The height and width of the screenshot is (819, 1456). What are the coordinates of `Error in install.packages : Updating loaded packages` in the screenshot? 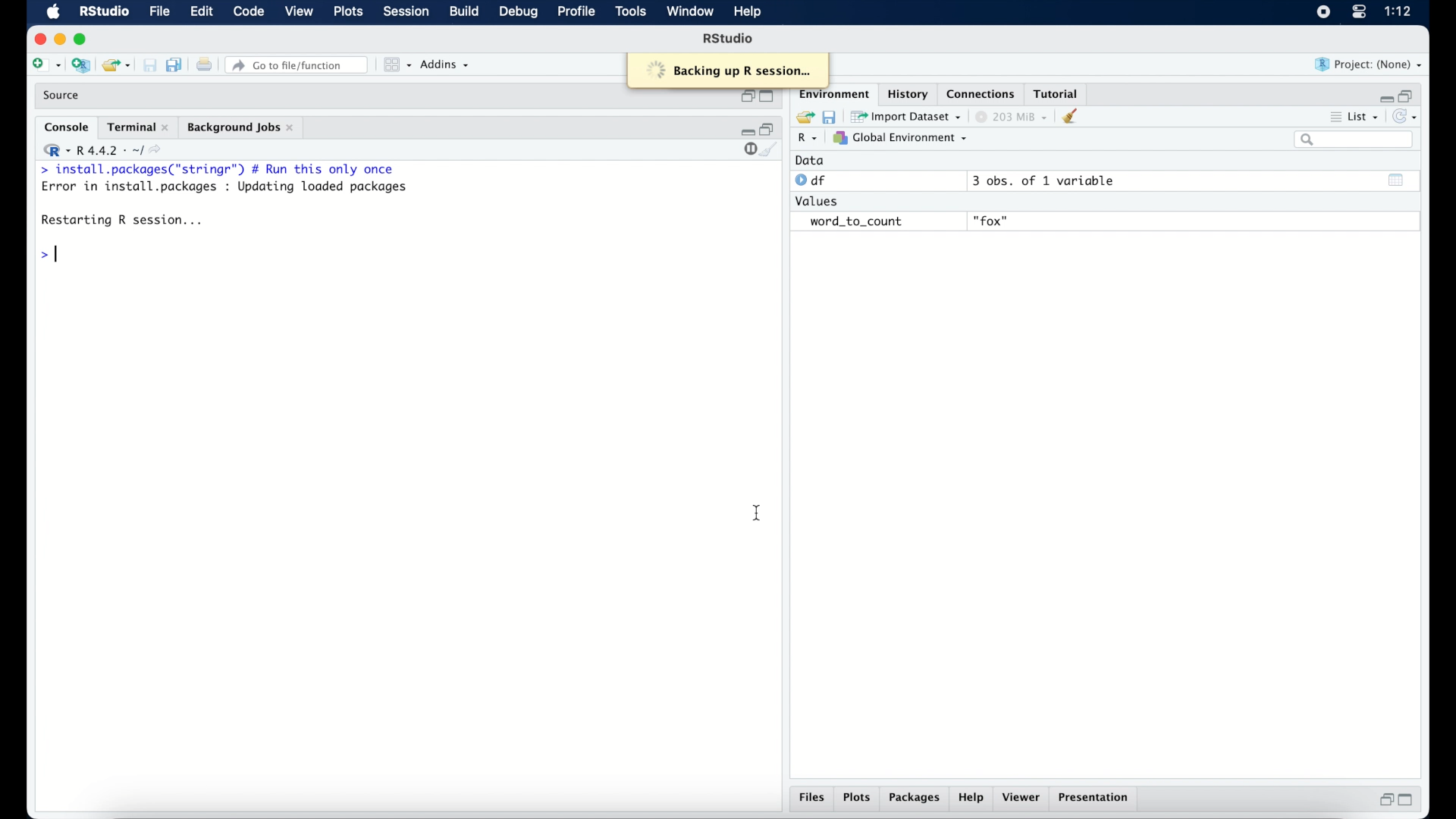 It's located at (224, 187).